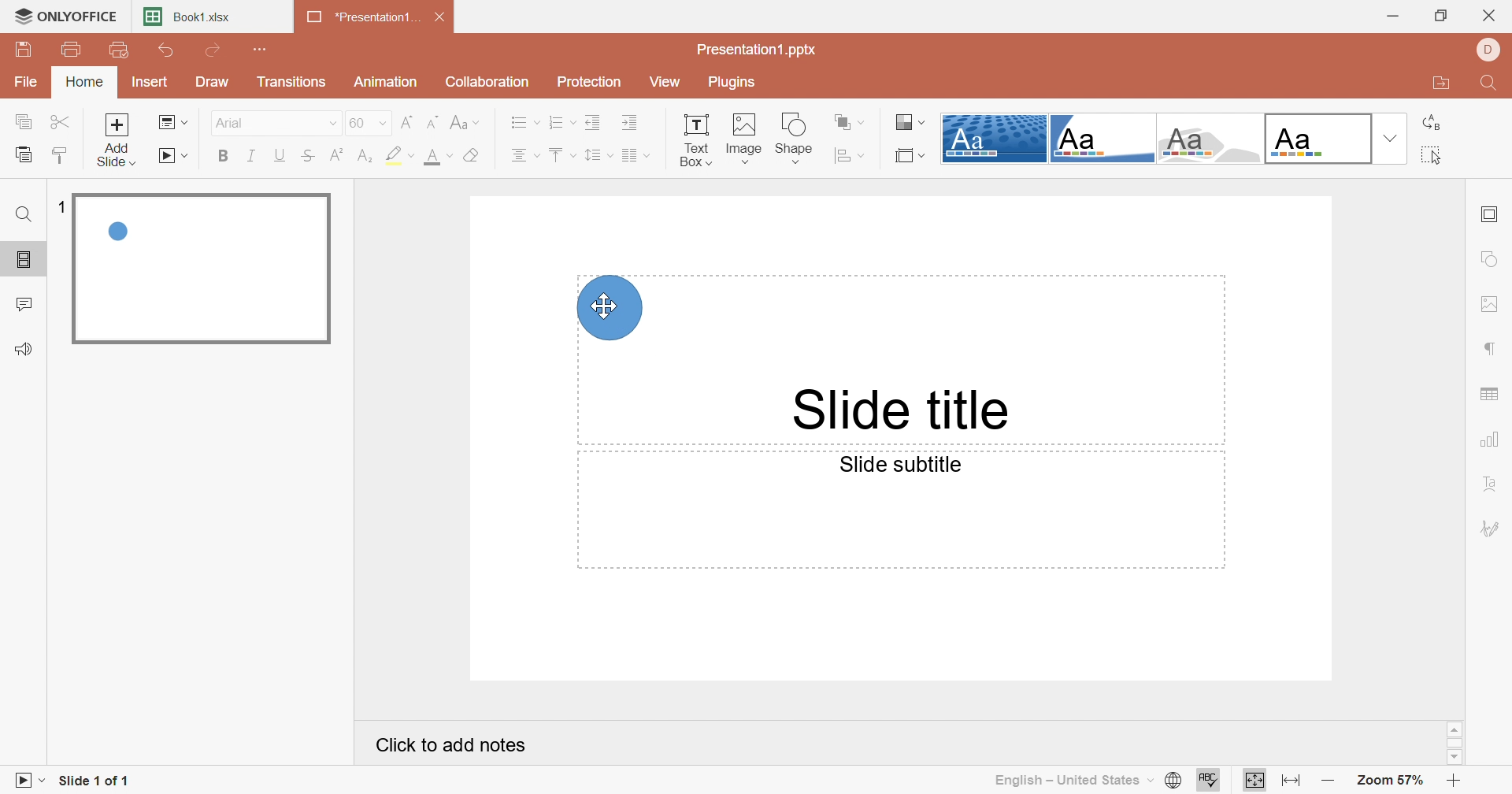 Image resolution: width=1512 pixels, height=794 pixels. What do you see at coordinates (202, 270) in the screenshot?
I see `Slide` at bounding box center [202, 270].